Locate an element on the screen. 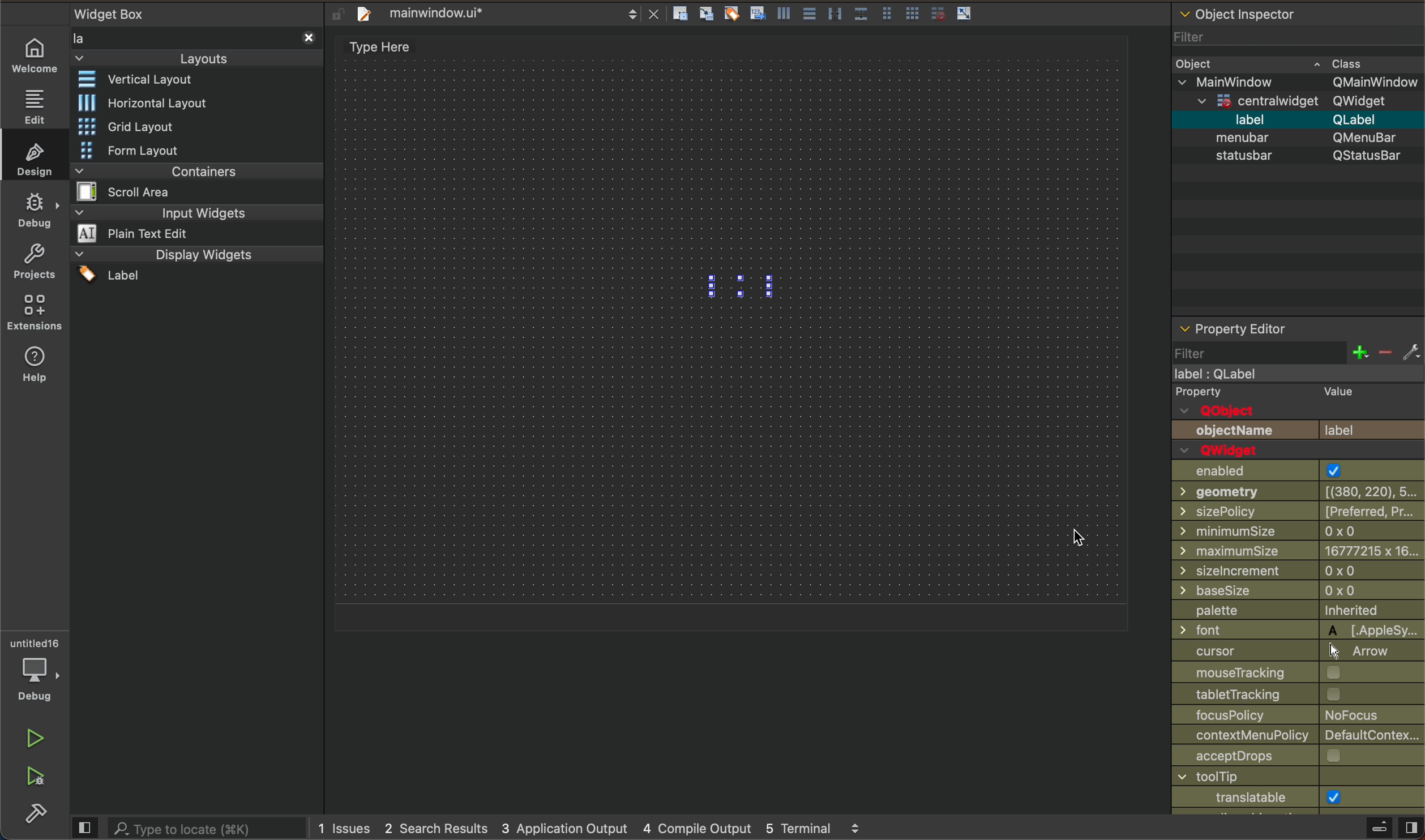  accept drops is located at coordinates (1274, 757).